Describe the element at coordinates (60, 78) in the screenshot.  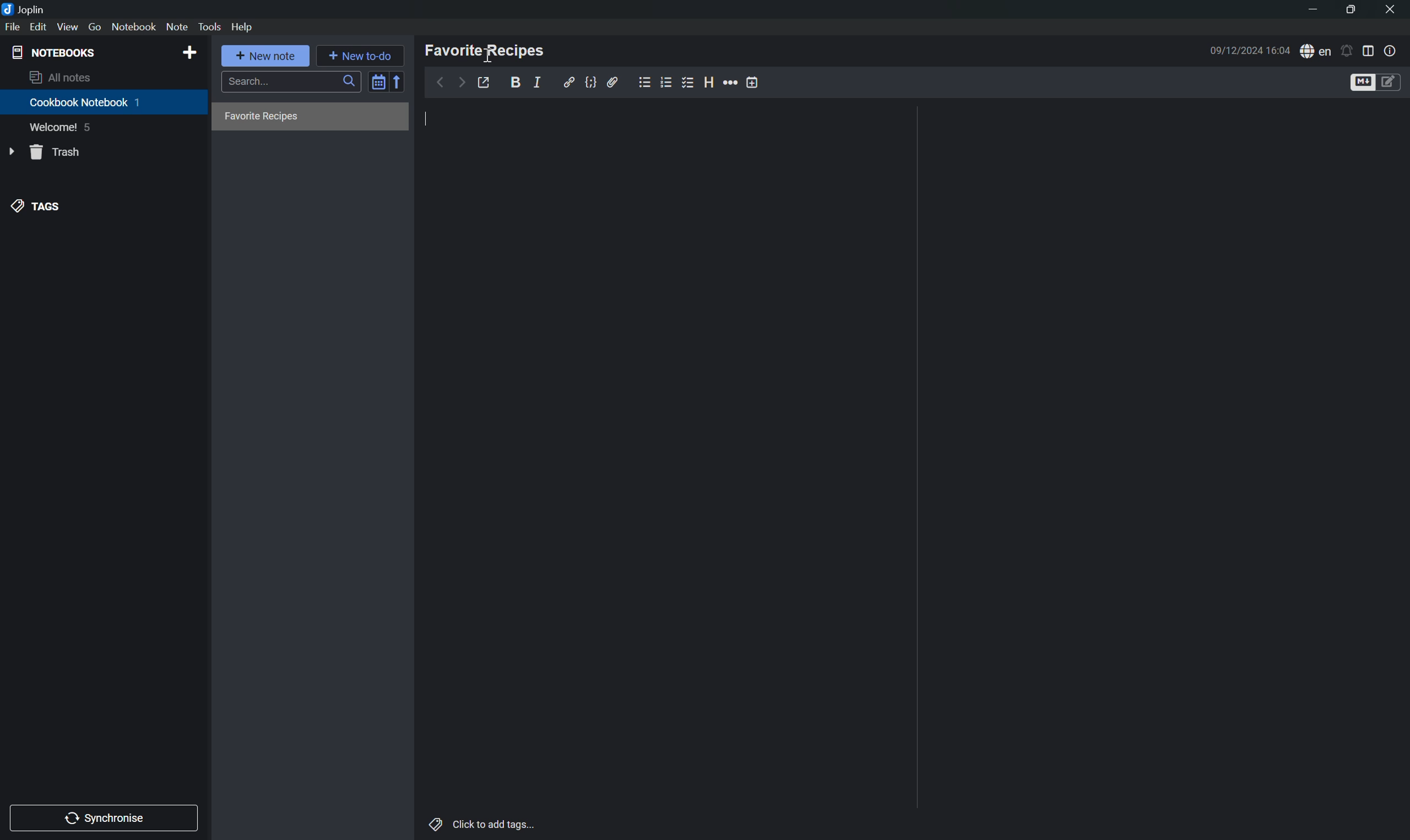
I see `All notes` at that location.